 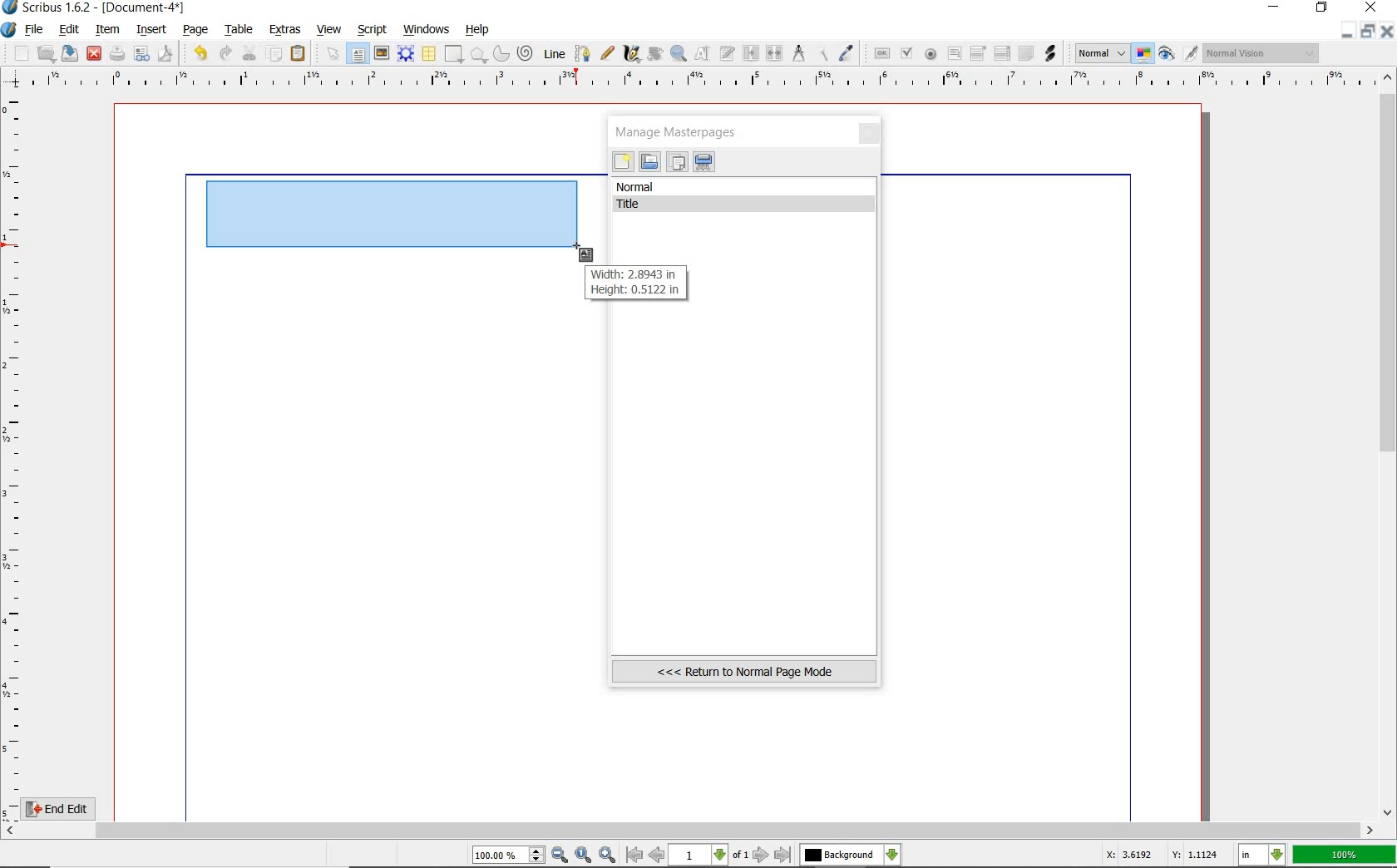 I want to click on minimize, so click(x=1276, y=8).